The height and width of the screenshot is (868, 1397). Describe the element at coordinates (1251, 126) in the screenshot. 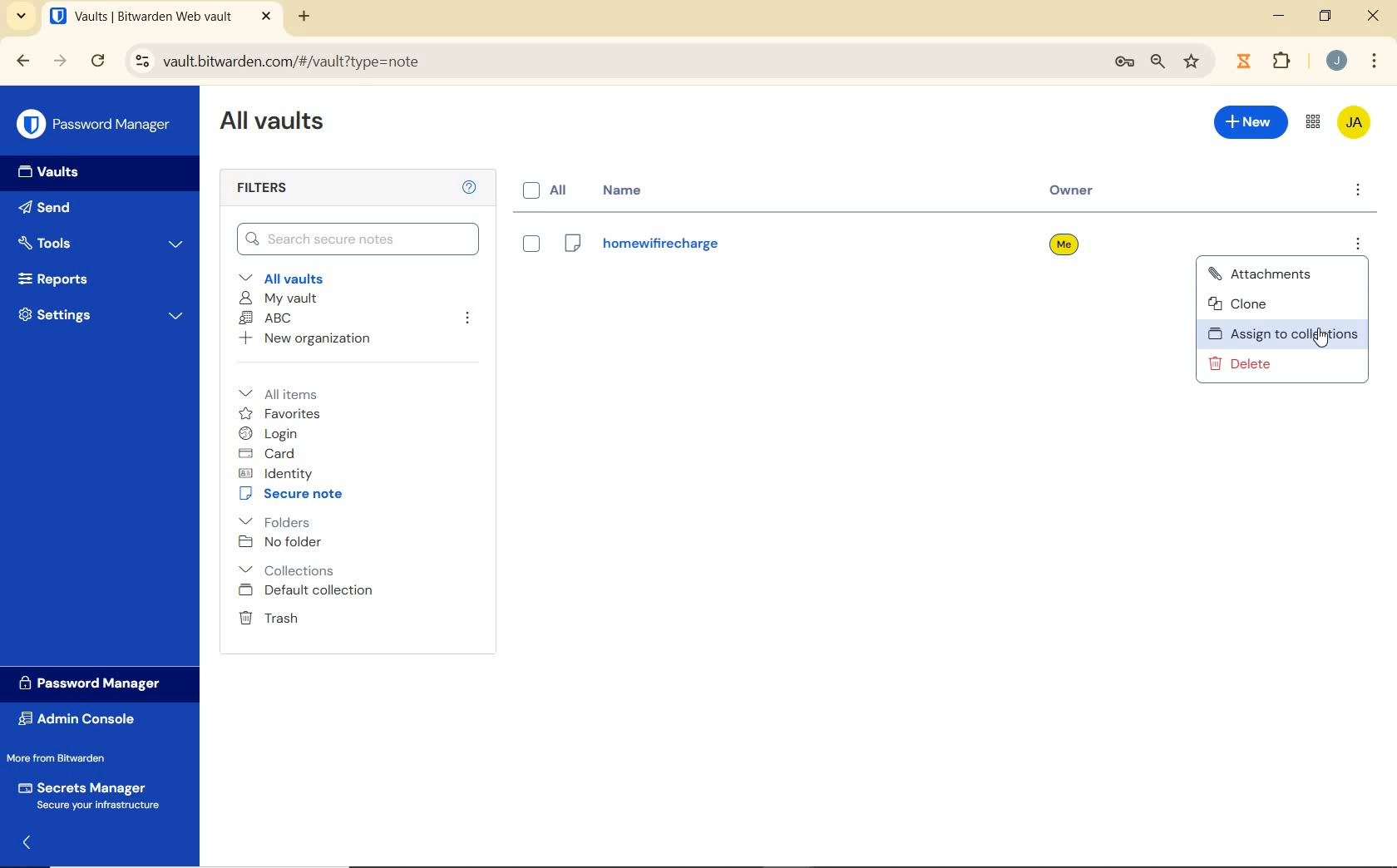

I see `New` at that location.